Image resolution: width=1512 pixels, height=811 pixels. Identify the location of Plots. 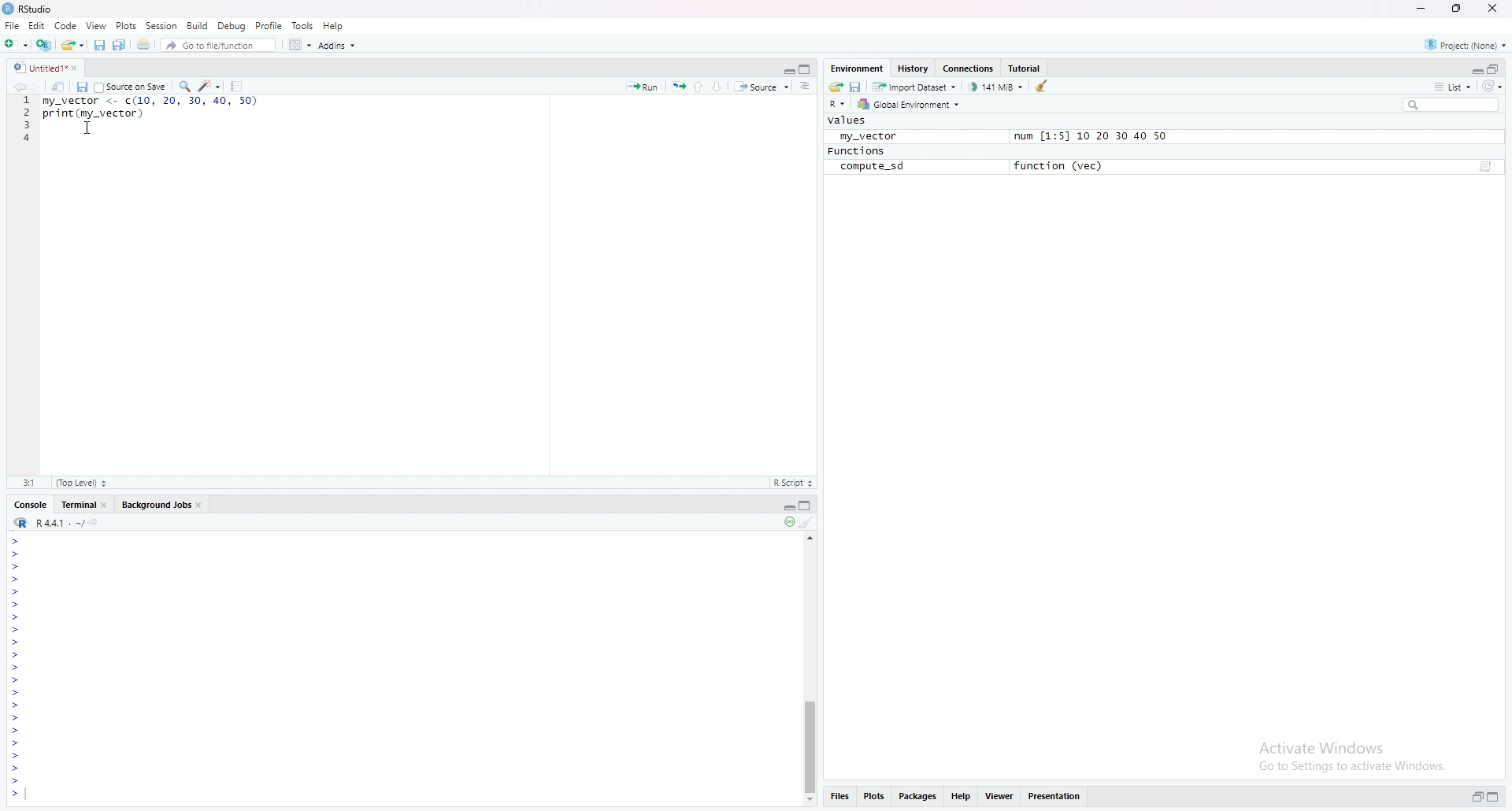
(873, 794).